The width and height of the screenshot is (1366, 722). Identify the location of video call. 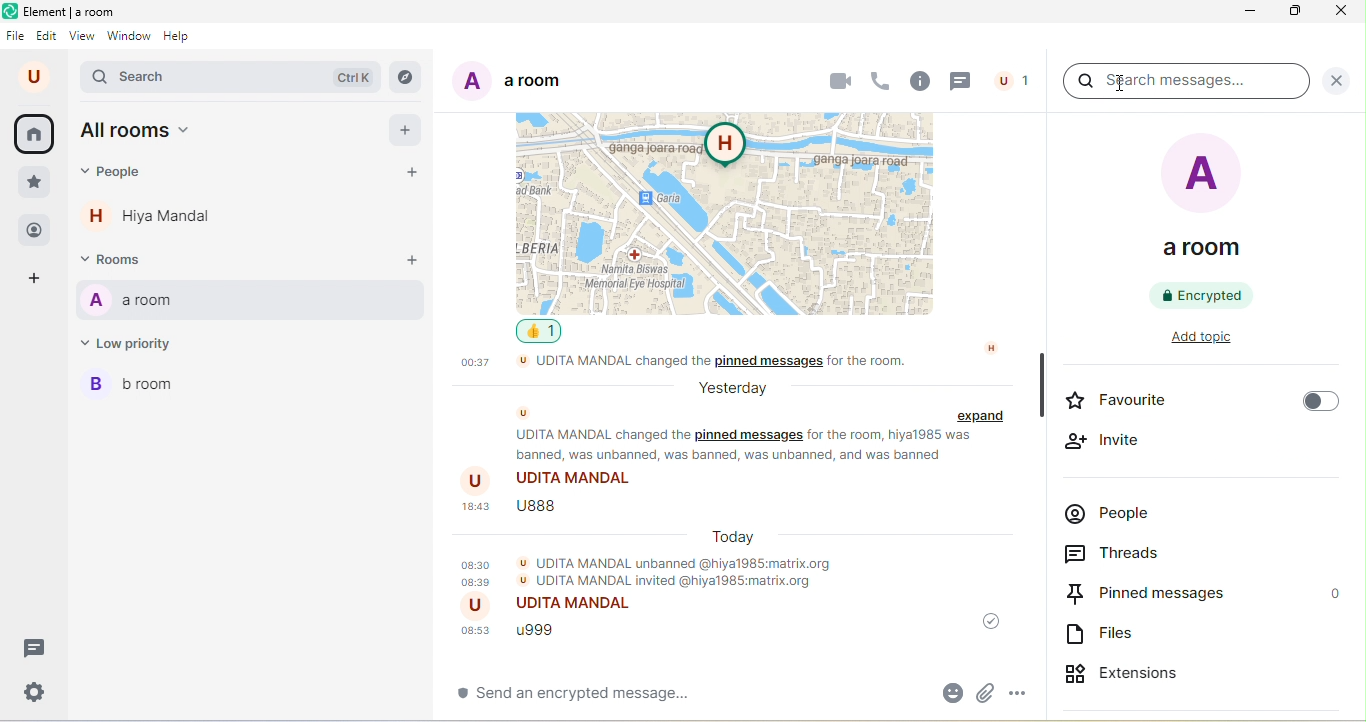
(839, 79).